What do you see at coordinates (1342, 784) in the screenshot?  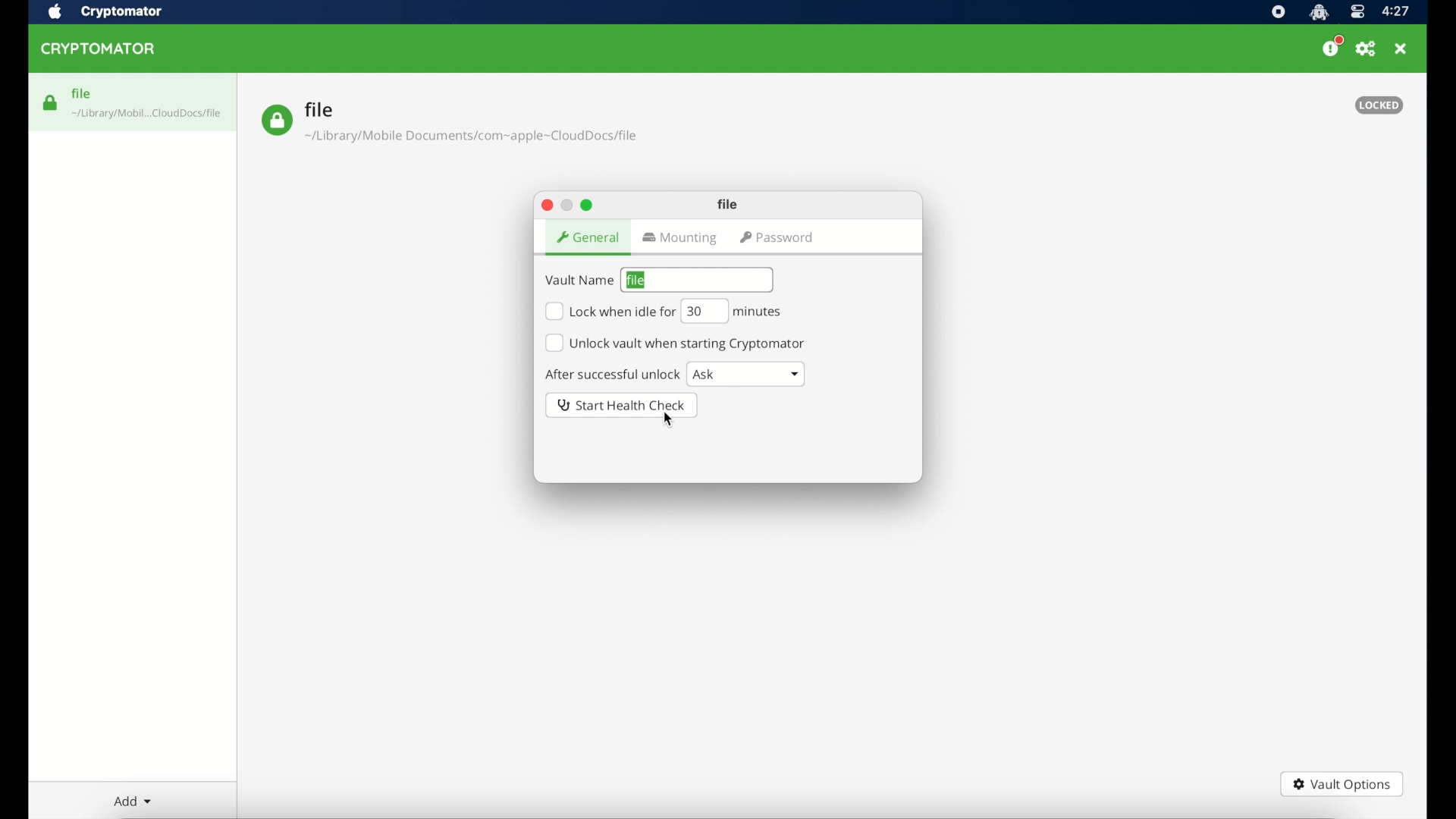 I see `vault options` at bounding box center [1342, 784].